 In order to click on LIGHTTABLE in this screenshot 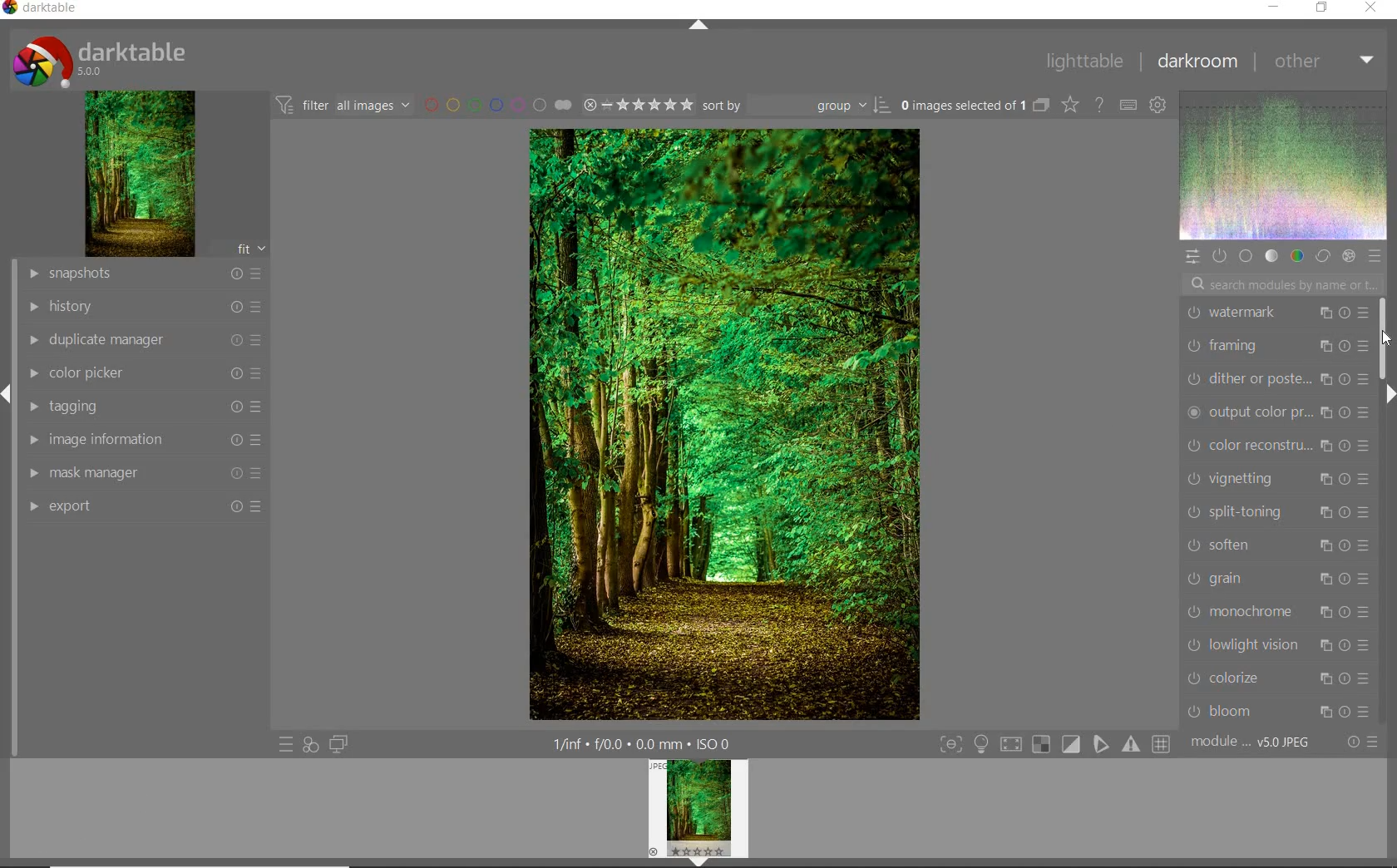, I will do `click(1085, 62)`.